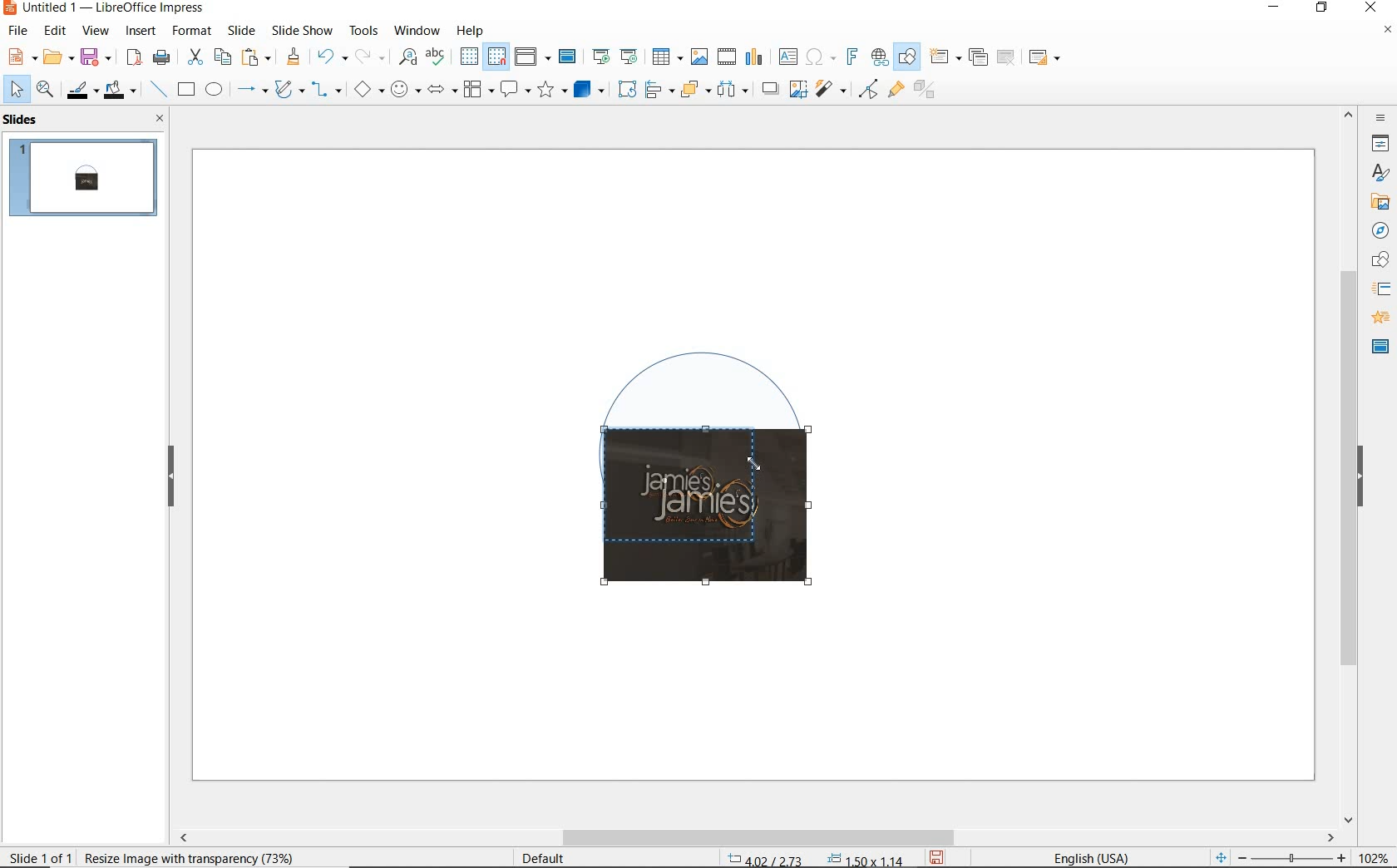  What do you see at coordinates (241, 31) in the screenshot?
I see `slide` at bounding box center [241, 31].